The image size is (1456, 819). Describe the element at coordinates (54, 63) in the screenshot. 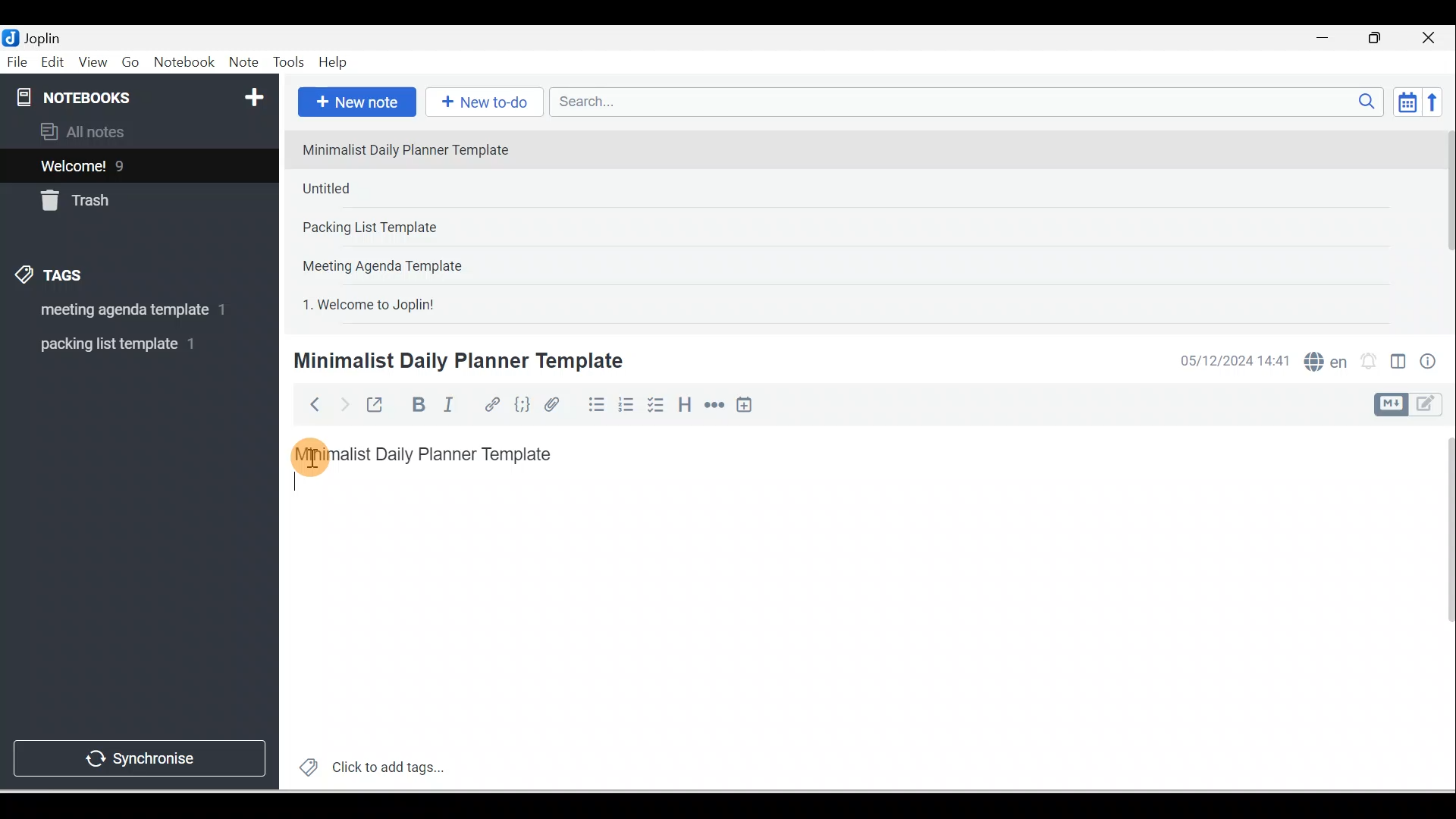

I see `Edit` at that location.